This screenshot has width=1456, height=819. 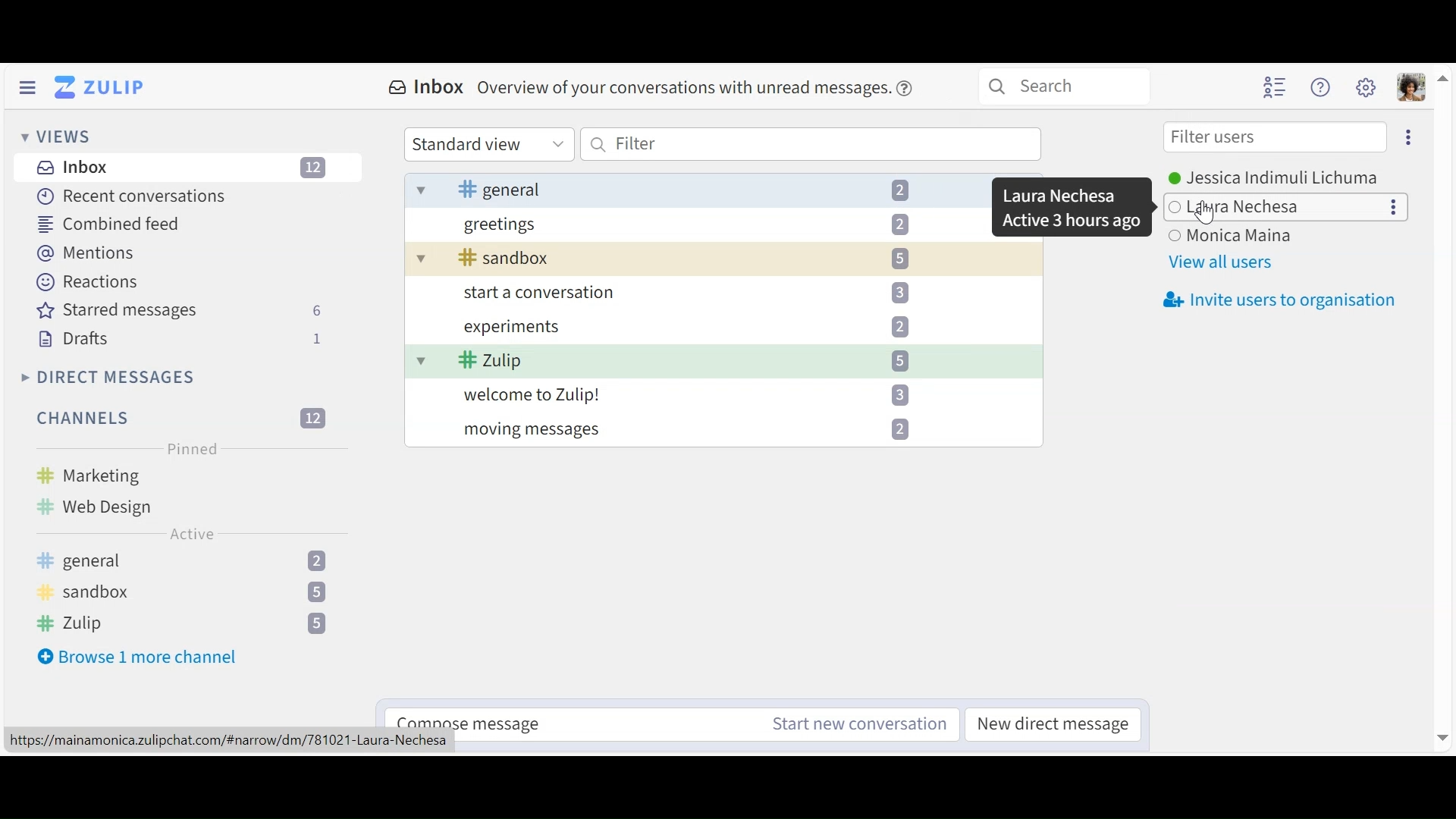 I want to click on more options, so click(x=1409, y=137).